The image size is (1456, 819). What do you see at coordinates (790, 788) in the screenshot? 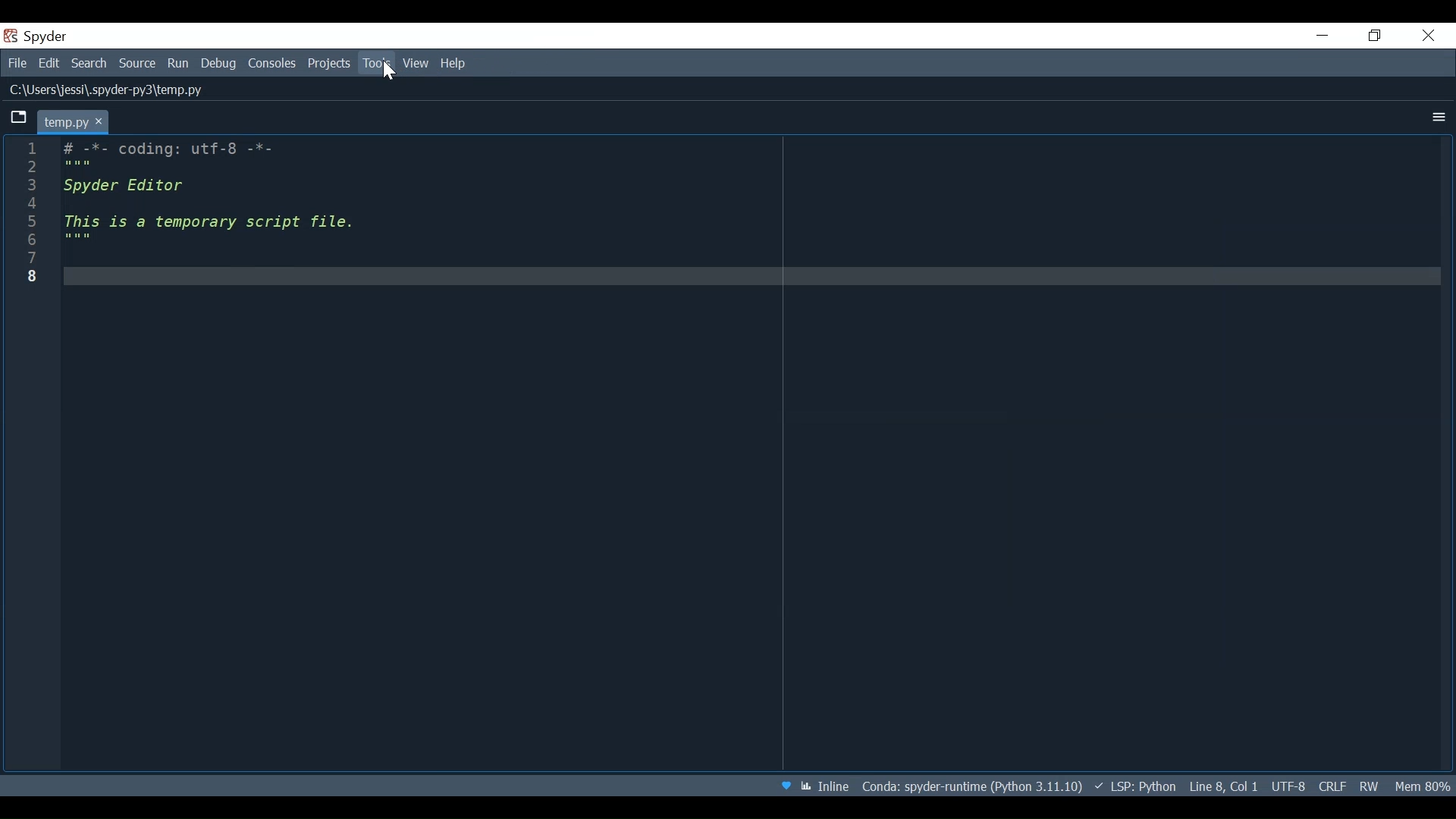
I see `Help Spyder` at bounding box center [790, 788].